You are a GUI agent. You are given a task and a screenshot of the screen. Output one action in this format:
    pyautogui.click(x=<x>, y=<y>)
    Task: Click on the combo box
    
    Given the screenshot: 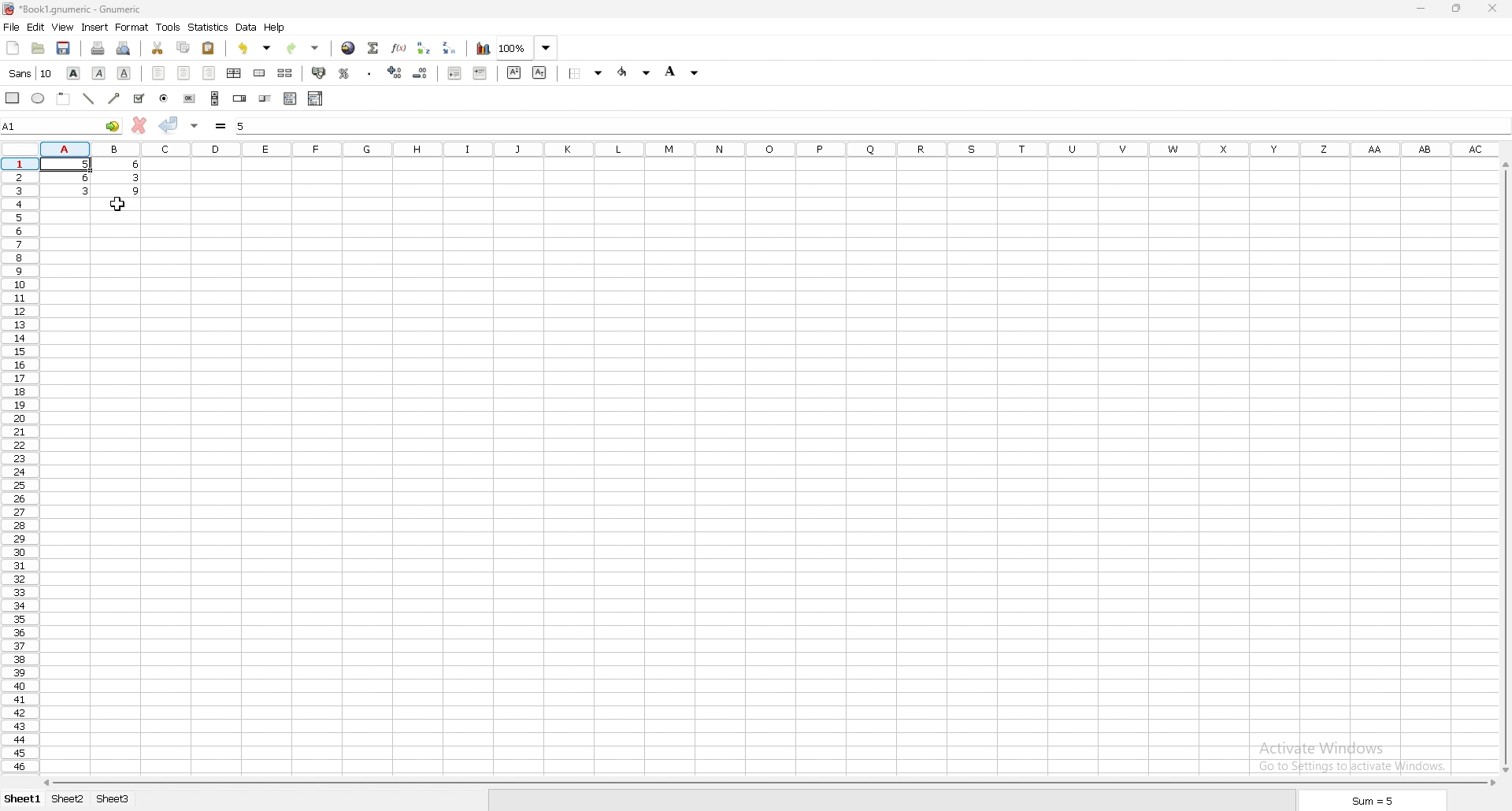 What is the action you would take?
    pyautogui.click(x=316, y=98)
    